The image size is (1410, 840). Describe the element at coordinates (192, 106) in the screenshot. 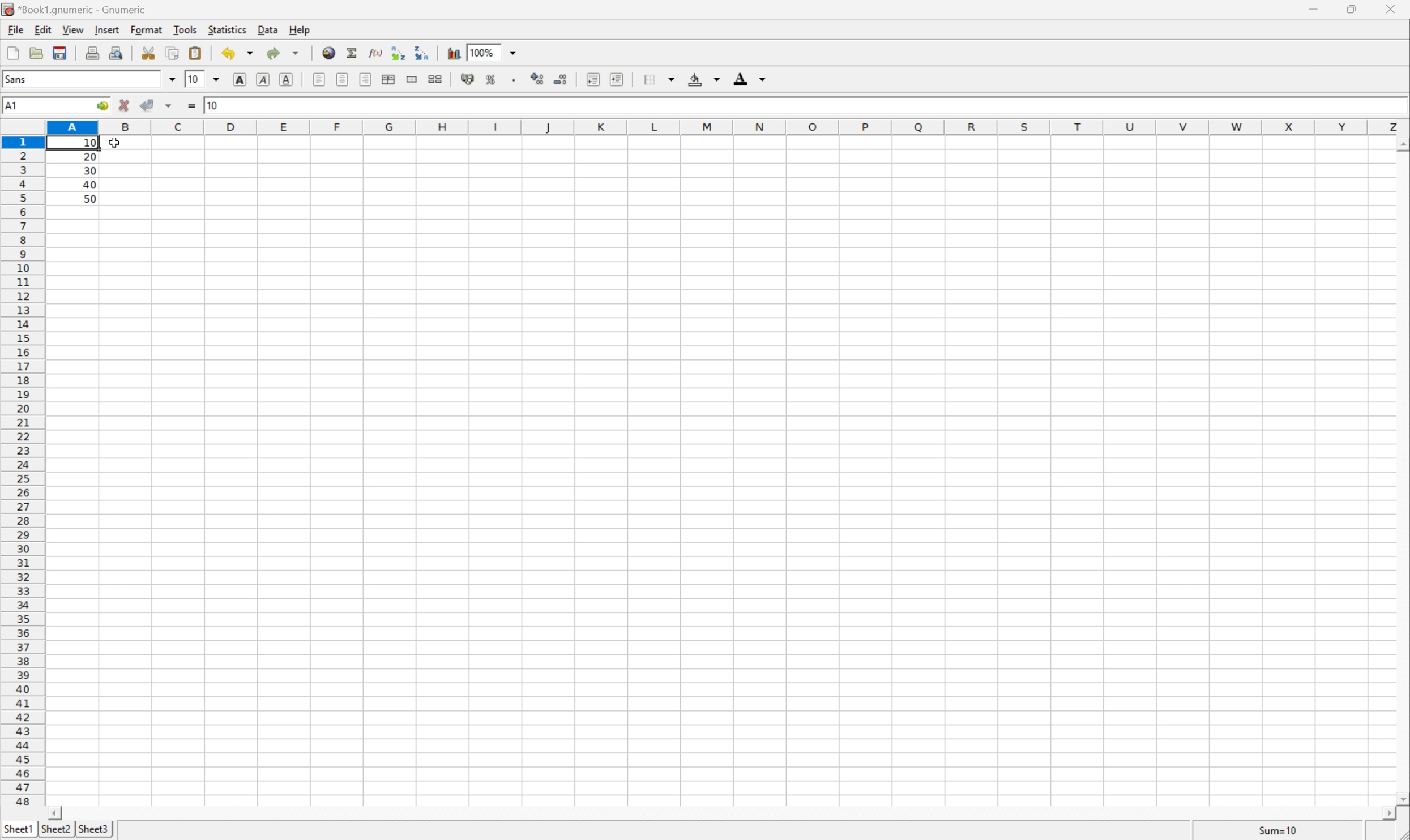

I see `Enter formula` at that location.